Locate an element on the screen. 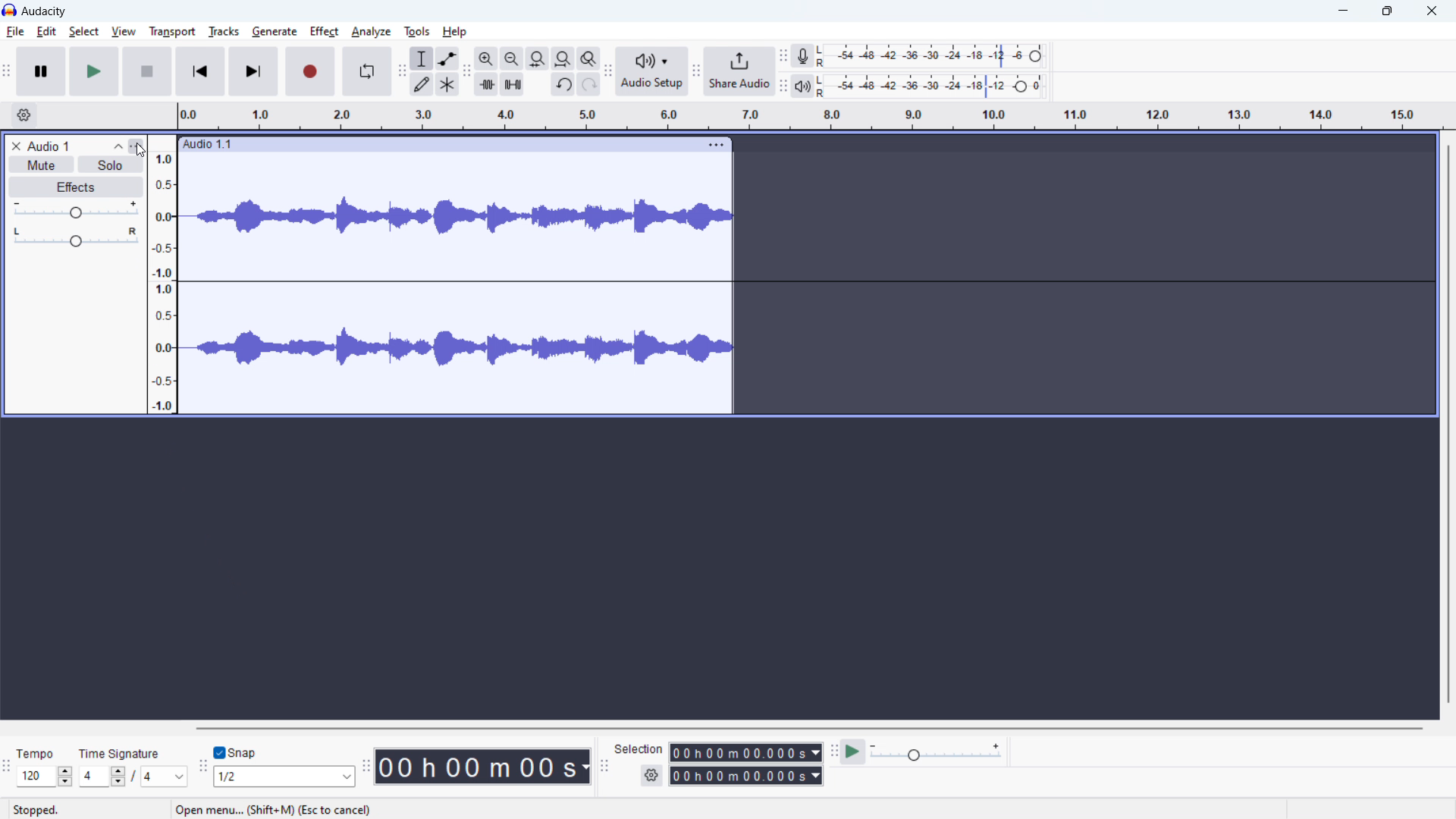 The width and height of the screenshot is (1456, 819). draw tool is located at coordinates (421, 83).